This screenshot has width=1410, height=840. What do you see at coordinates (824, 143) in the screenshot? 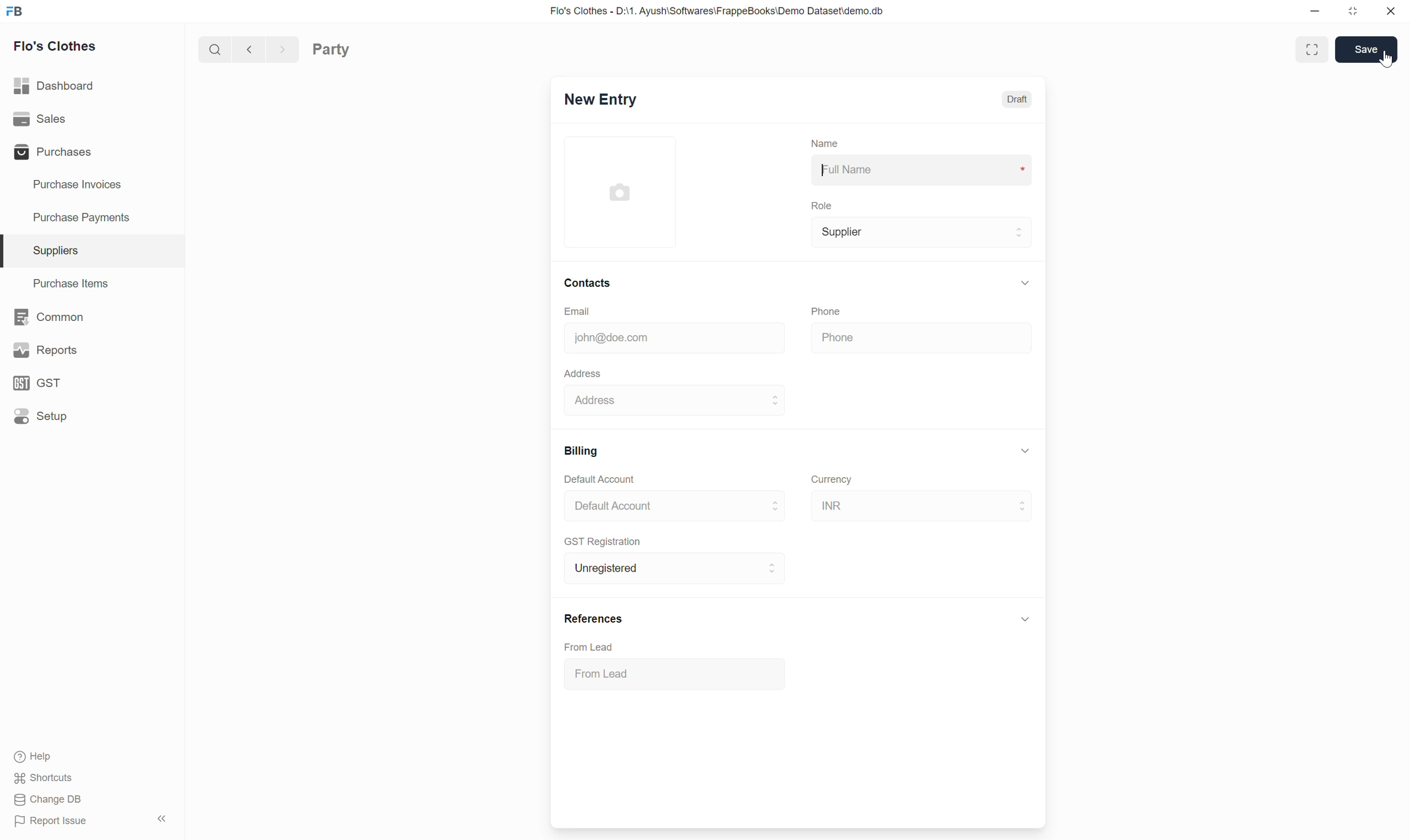
I see `Name` at bounding box center [824, 143].